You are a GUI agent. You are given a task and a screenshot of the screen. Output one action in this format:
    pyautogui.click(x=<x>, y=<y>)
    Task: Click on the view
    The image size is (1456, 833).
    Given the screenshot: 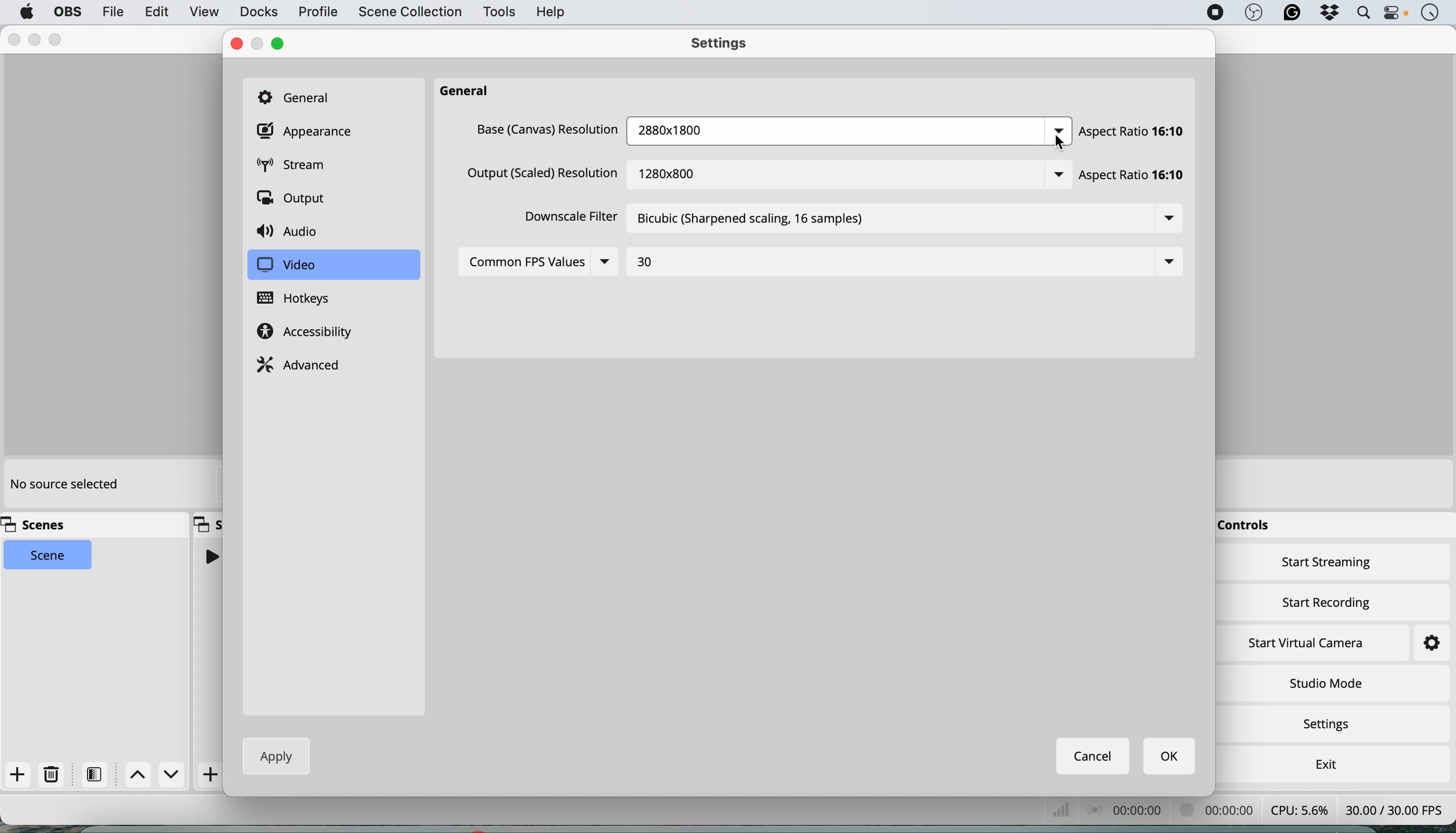 What is the action you would take?
    pyautogui.click(x=204, y=13)
    